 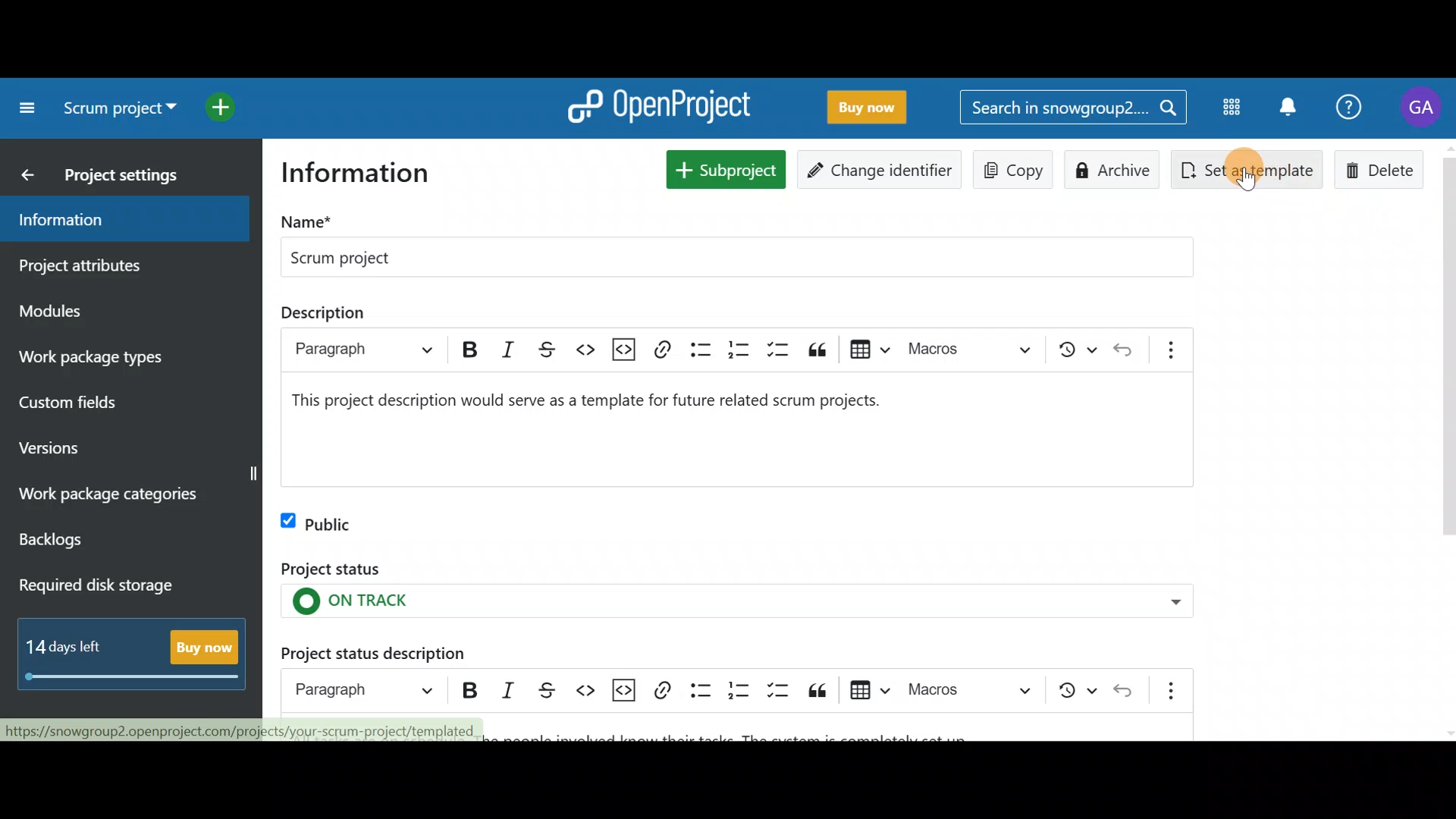 What do you see at coordinates (130, 494) in the screenshot?
I see `Work package categories` at bounding box center [130, 494].